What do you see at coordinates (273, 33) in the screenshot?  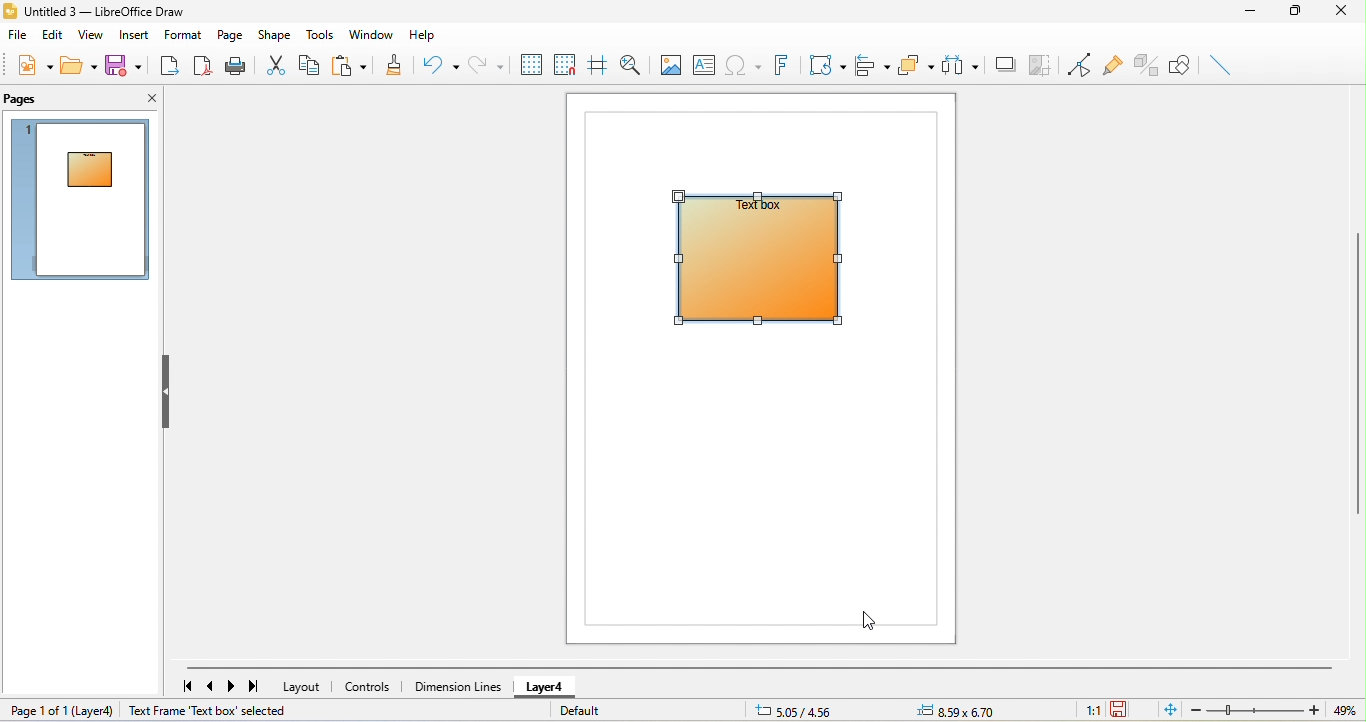 I see `shape` at bounding box center [273, 33].